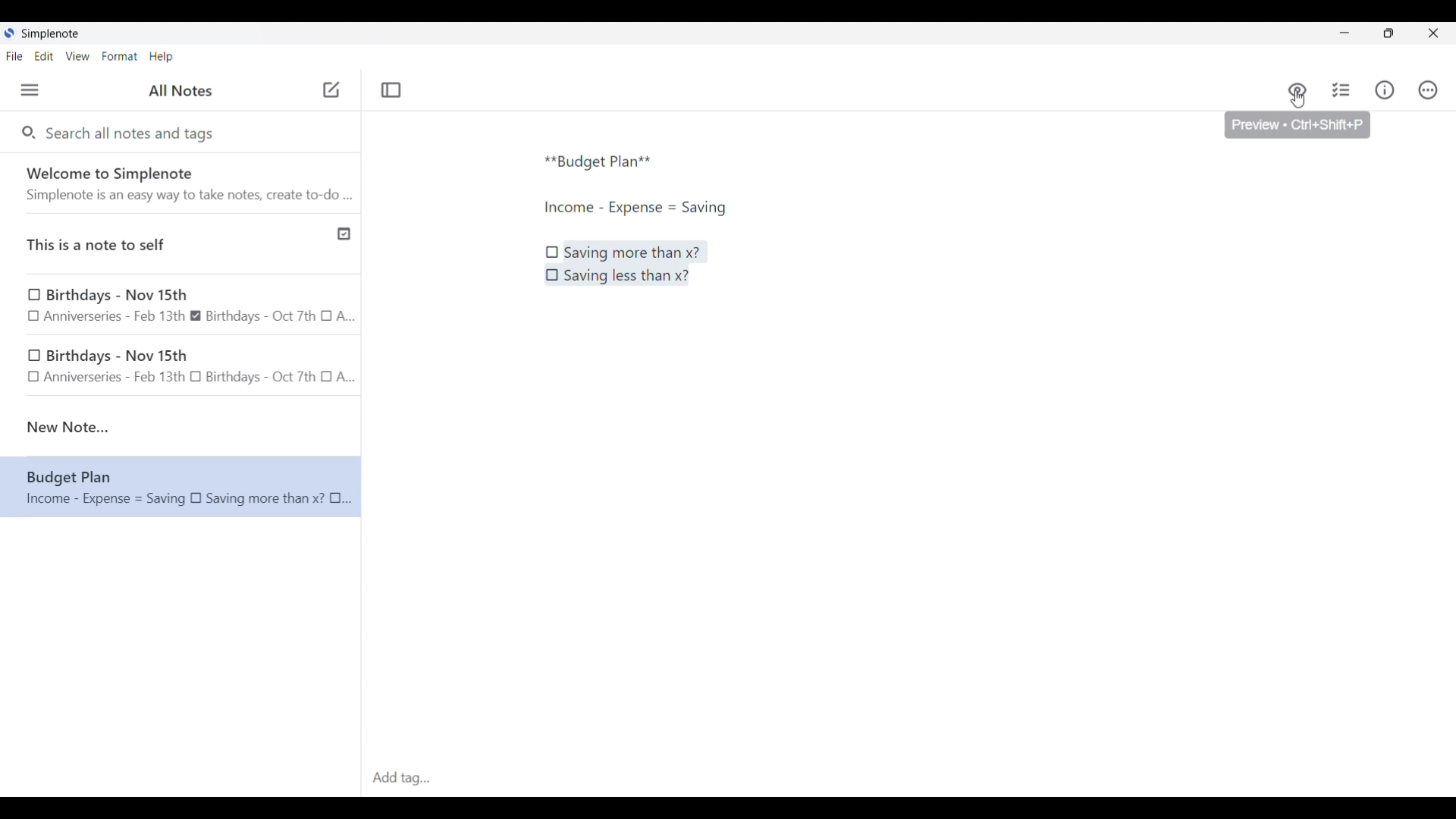 The width and height of the screenshot is (1456, 819). What do you see at coordinates (391, 90) in the screenshot?
I see `Toggle focus mode` at bounding box center [391, 90].